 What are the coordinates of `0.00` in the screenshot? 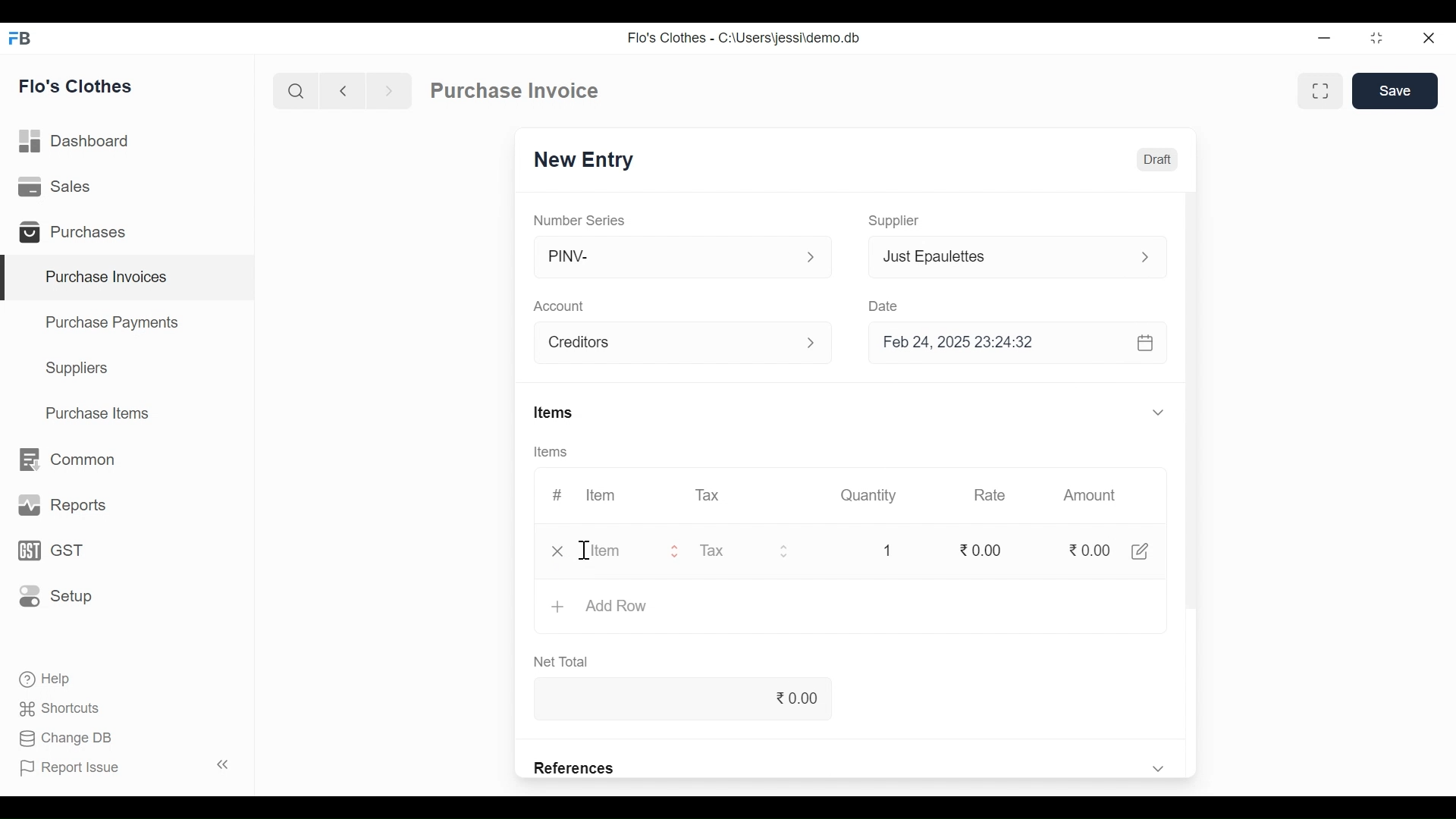 It's located at (772, 692).